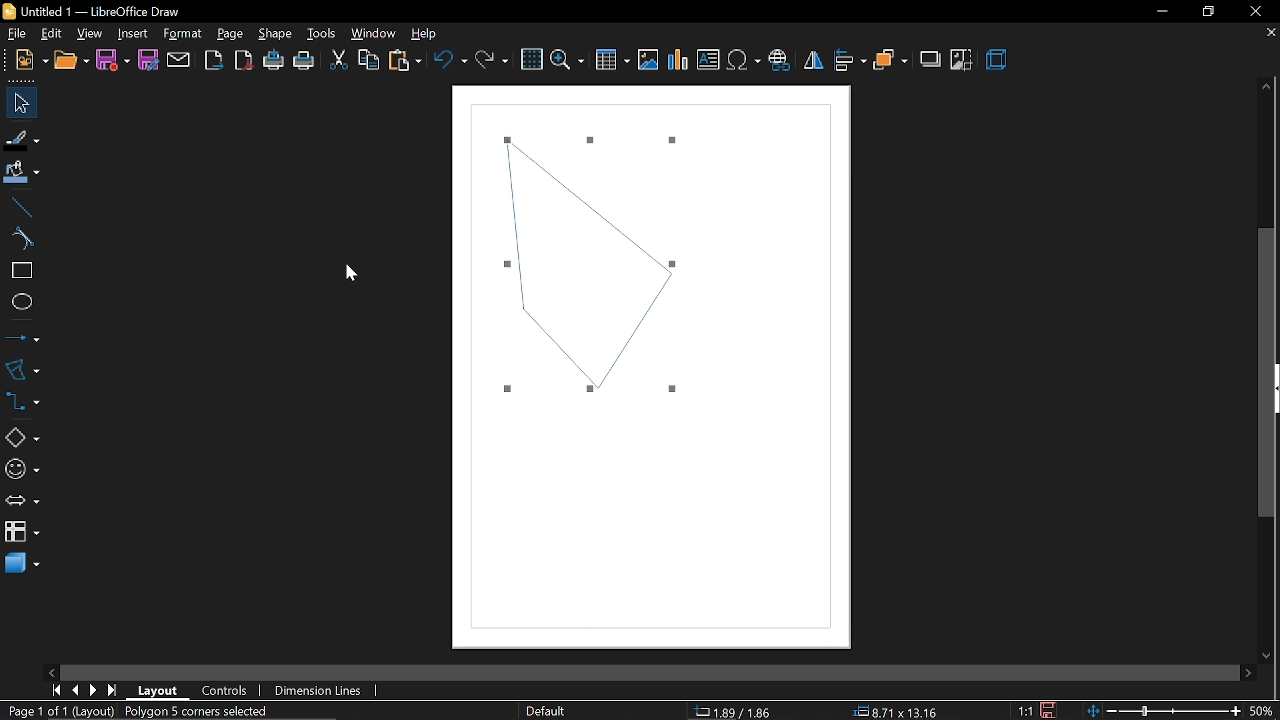 The width and height of the screenshot is (1280, 720). What do you see at coordinates (178, 60) in the screenshot?
I see `attach` at bounding box center [178, 60].